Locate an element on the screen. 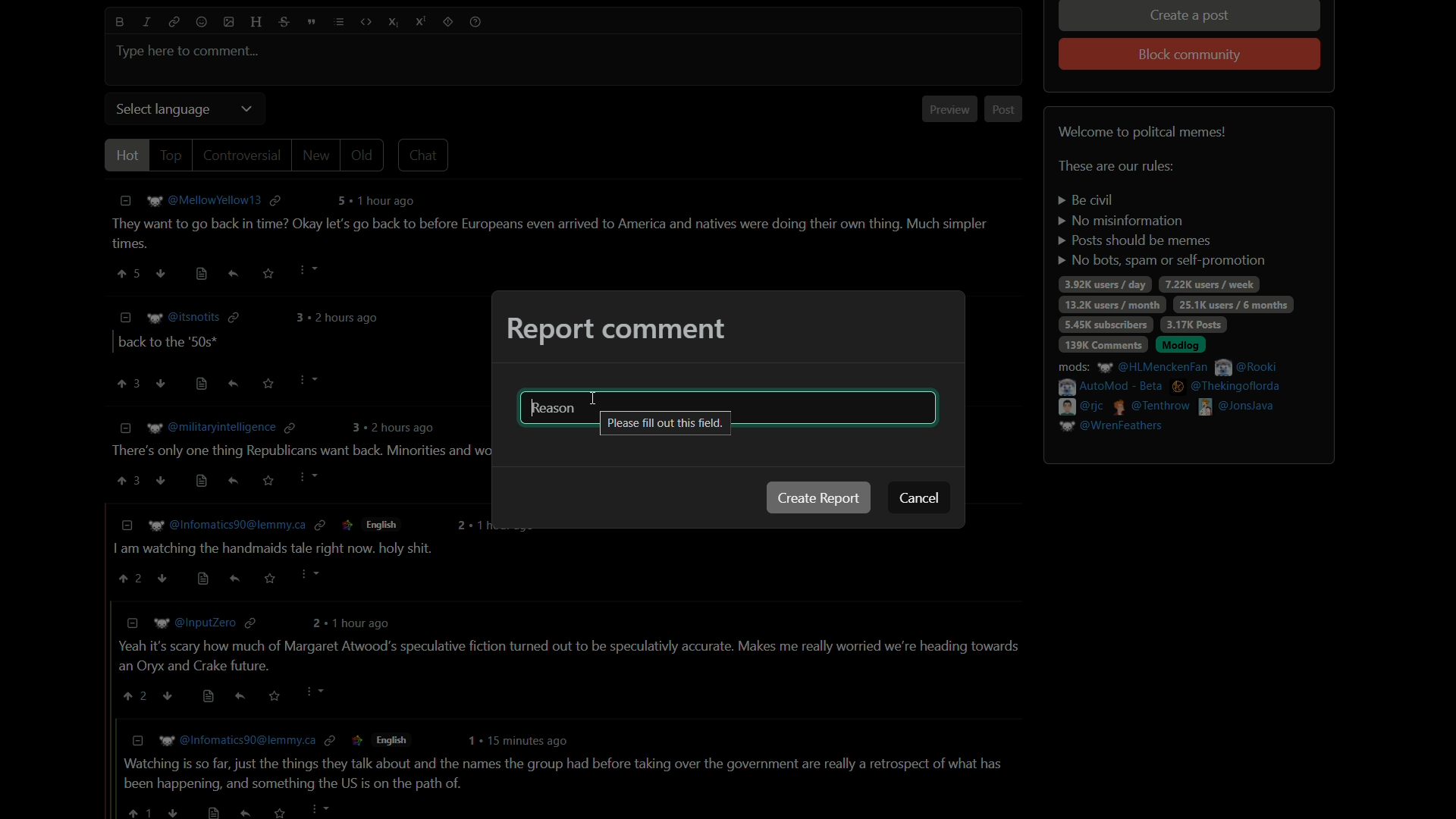 Image resolution: width=1456 pixels, height=819 pixels. comment-4 is located at coordinates (298, 553).